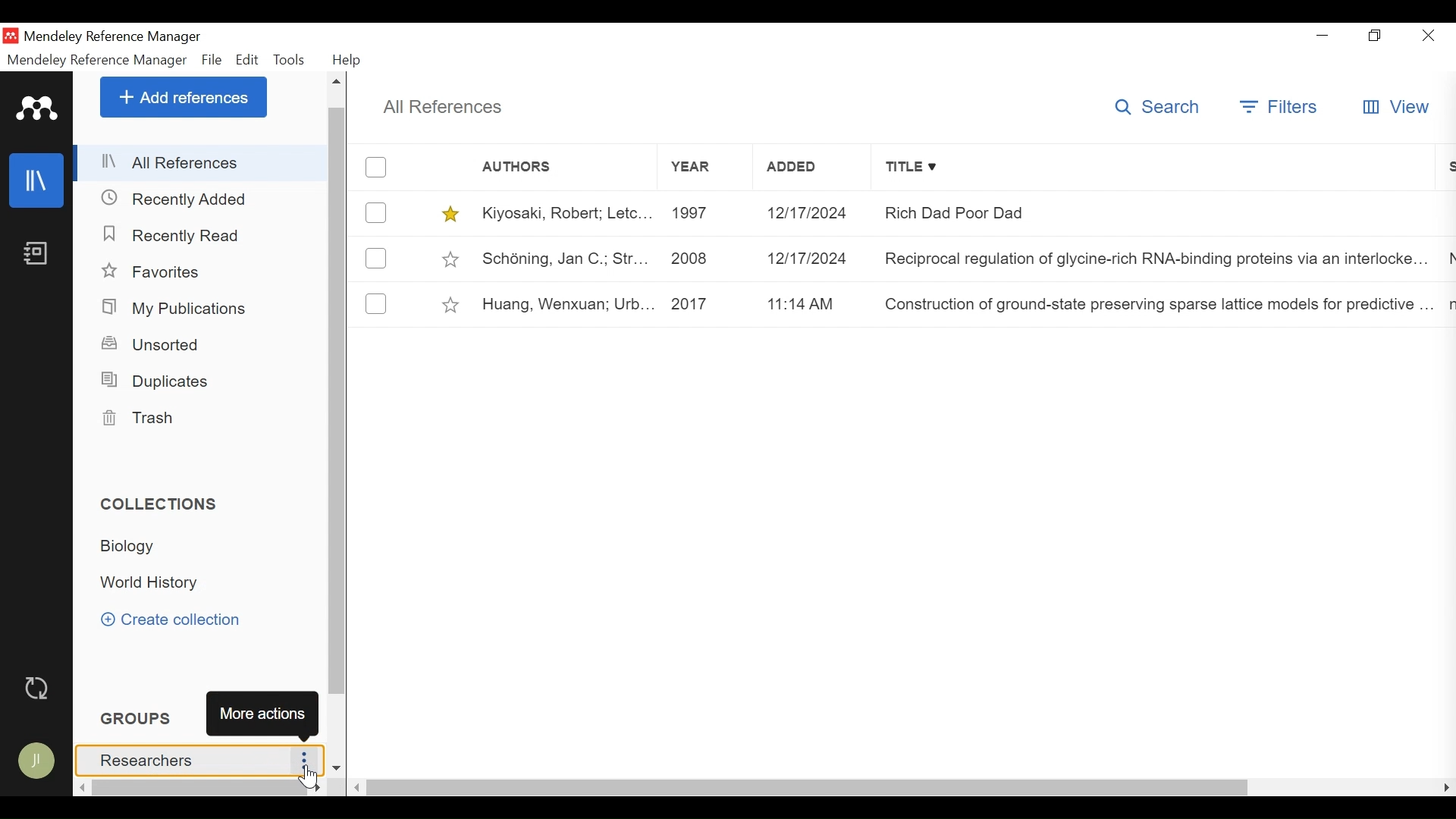 This screenshot has width=1456, height=819. I want to click on Rich Dad Poor Dad, so click(1158, 212).